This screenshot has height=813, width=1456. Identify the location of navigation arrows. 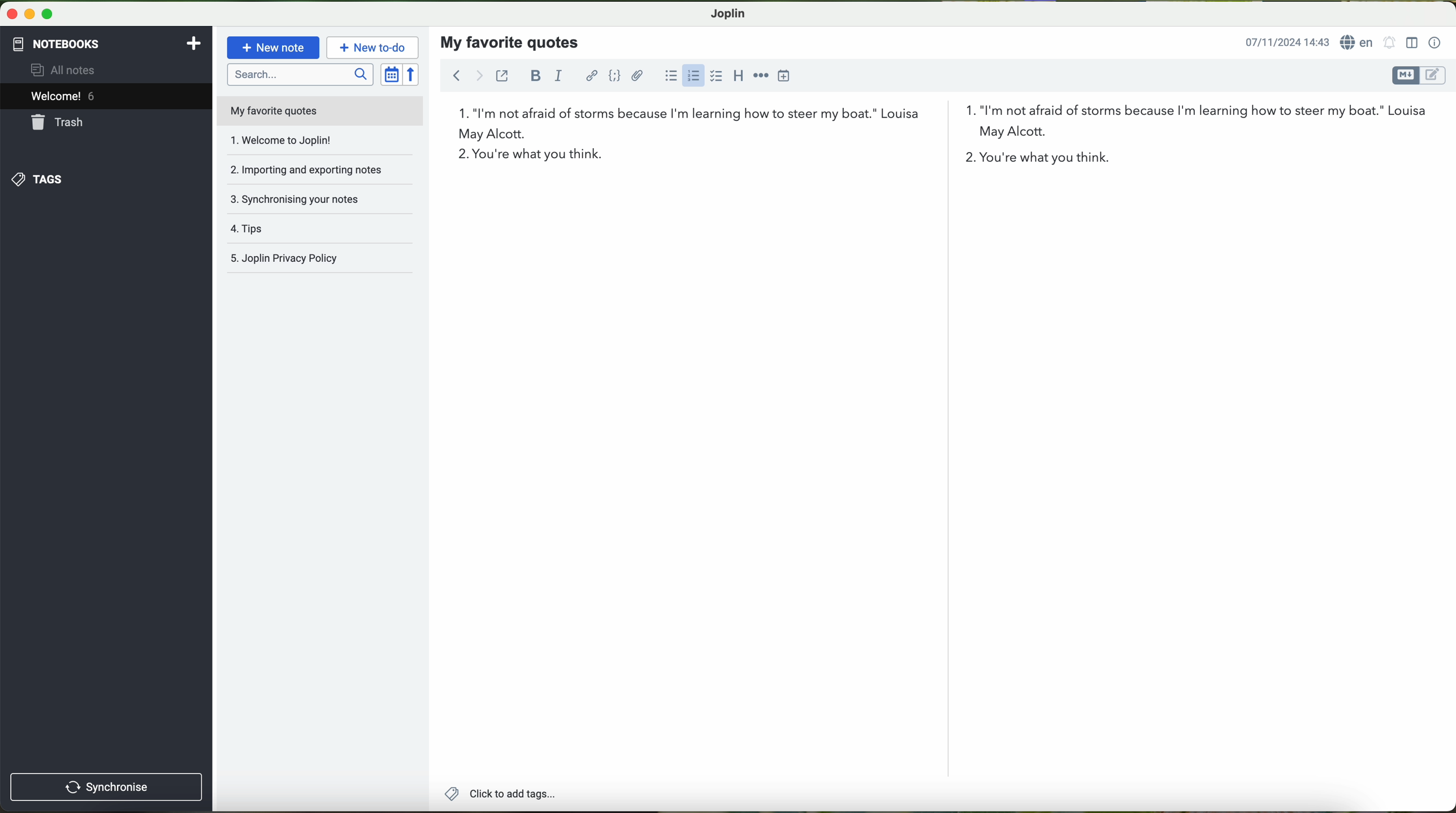
(463, 75).